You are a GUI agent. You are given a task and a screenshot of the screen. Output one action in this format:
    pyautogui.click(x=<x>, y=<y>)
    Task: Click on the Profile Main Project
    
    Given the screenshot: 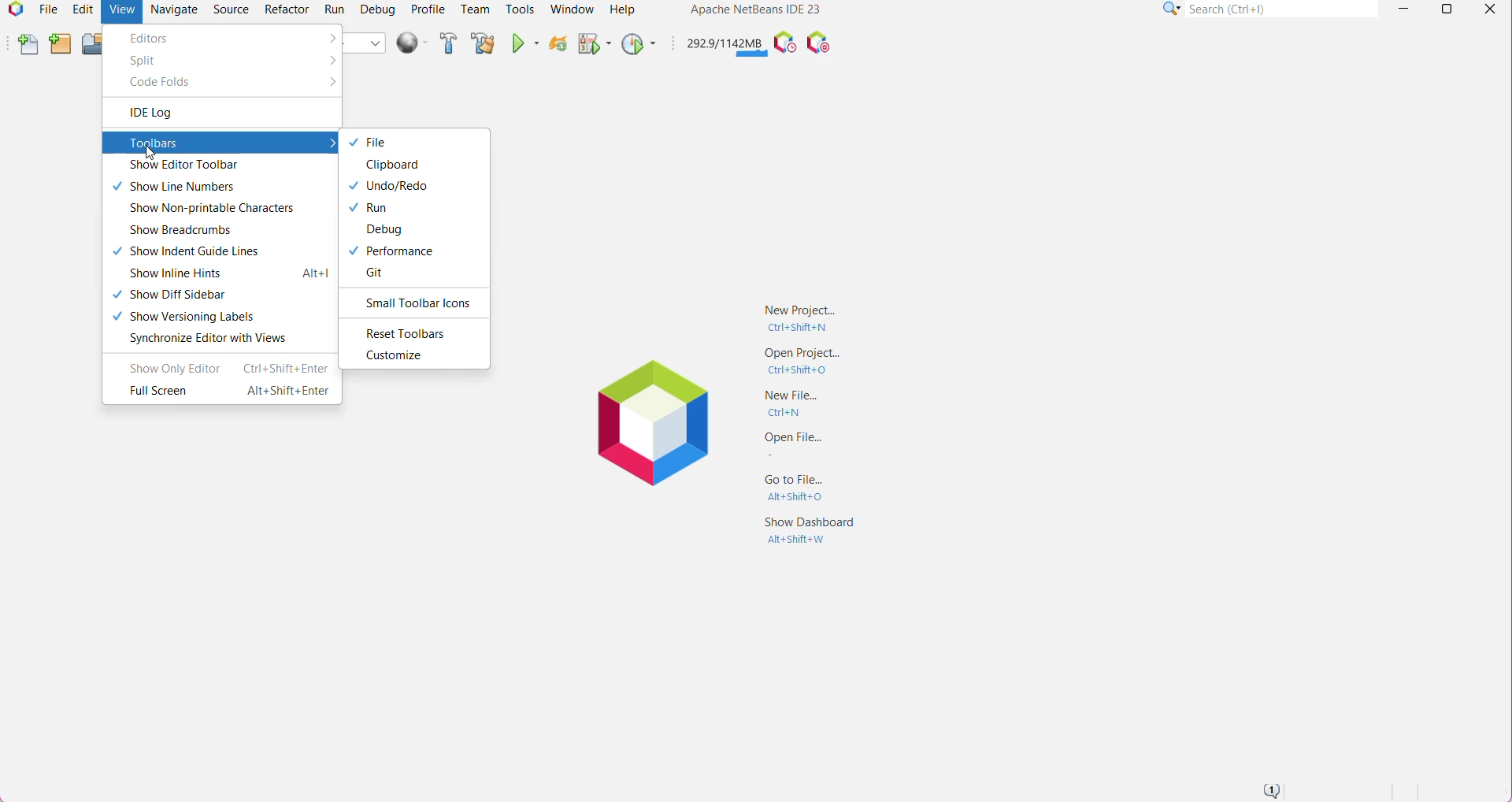 What is the action you would take?
    pyautogui.click(x=637, y=45)
    